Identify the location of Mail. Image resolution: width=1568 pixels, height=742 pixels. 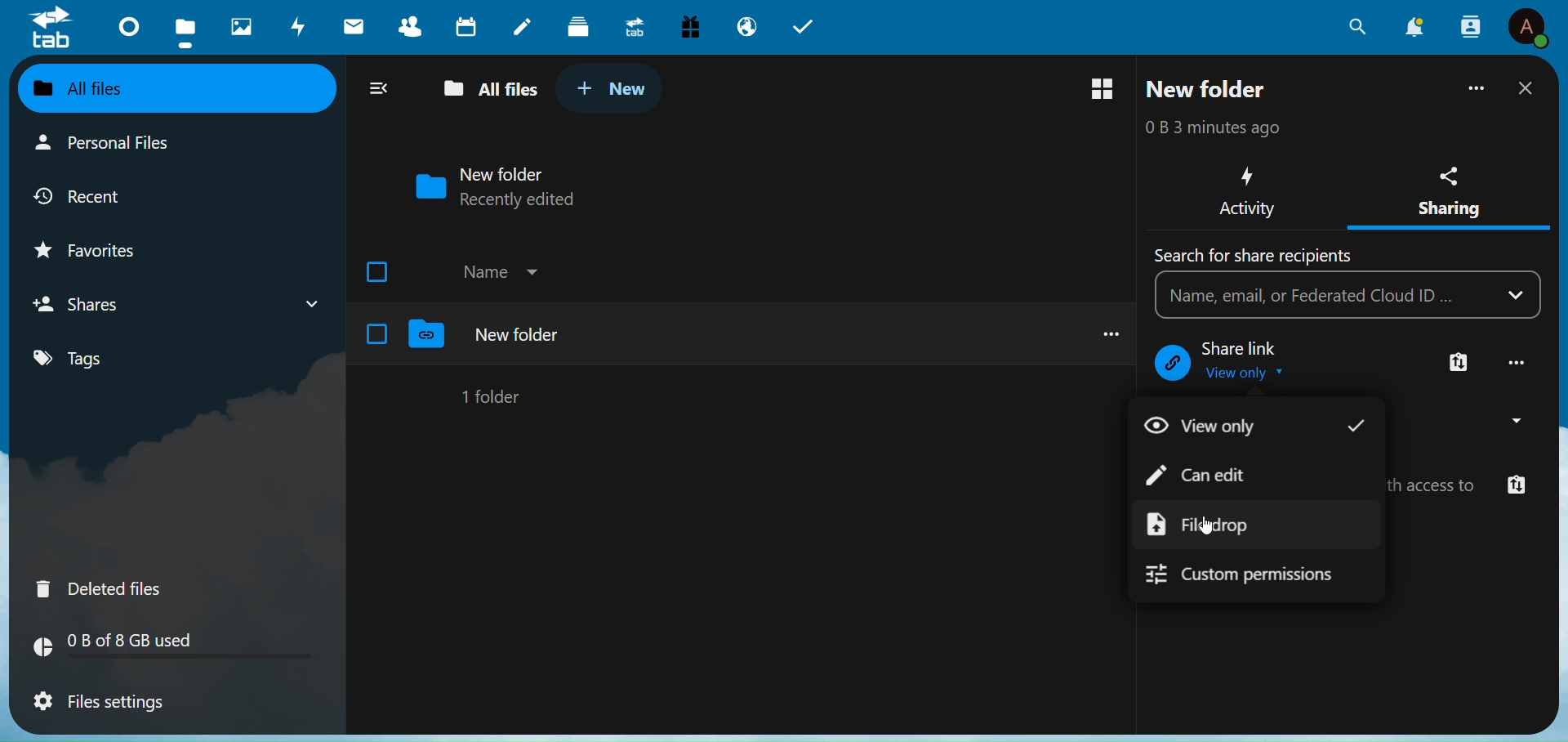
(354, 25).